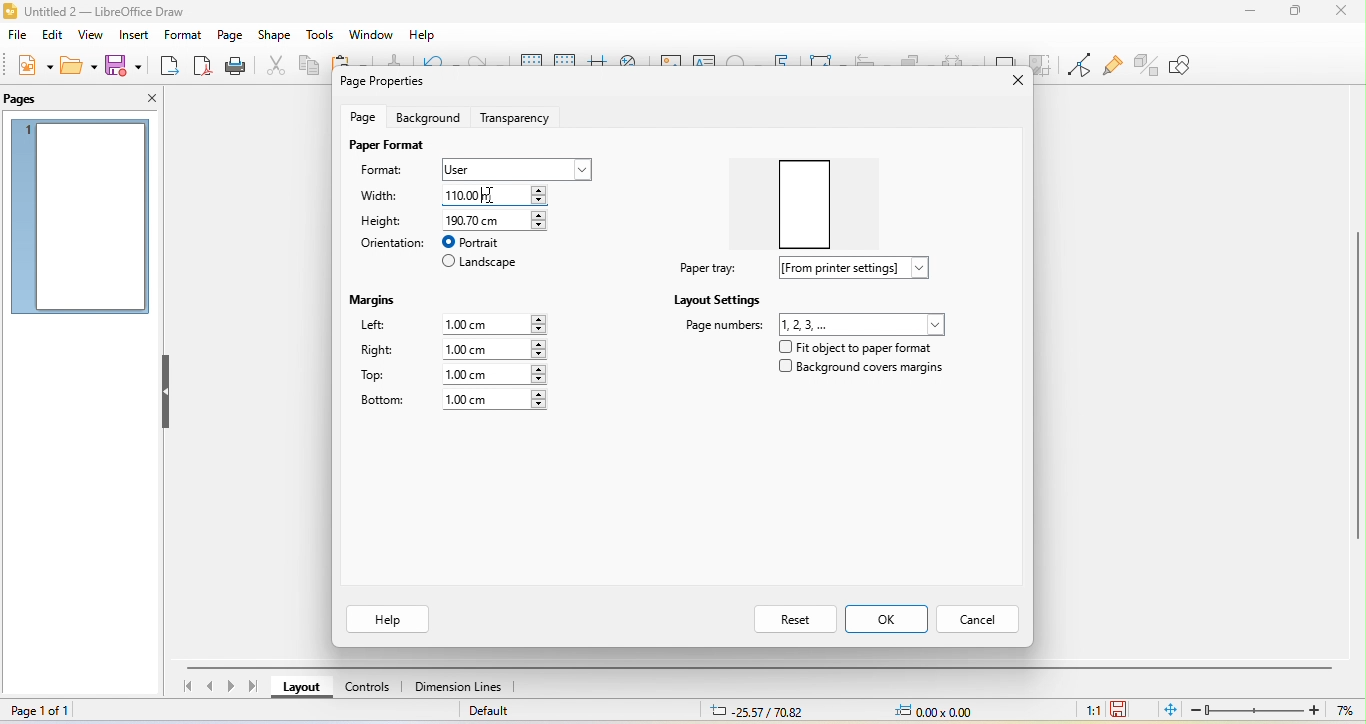 The image size is (1366, 724). I want to click on page properties, so click(388, 83).